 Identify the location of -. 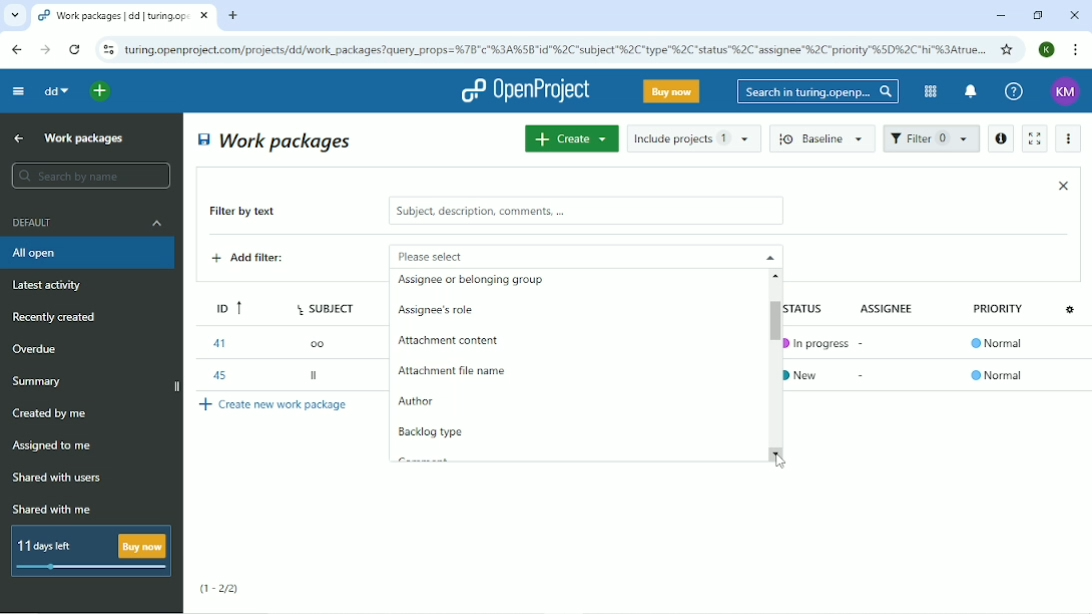
(863, 375).